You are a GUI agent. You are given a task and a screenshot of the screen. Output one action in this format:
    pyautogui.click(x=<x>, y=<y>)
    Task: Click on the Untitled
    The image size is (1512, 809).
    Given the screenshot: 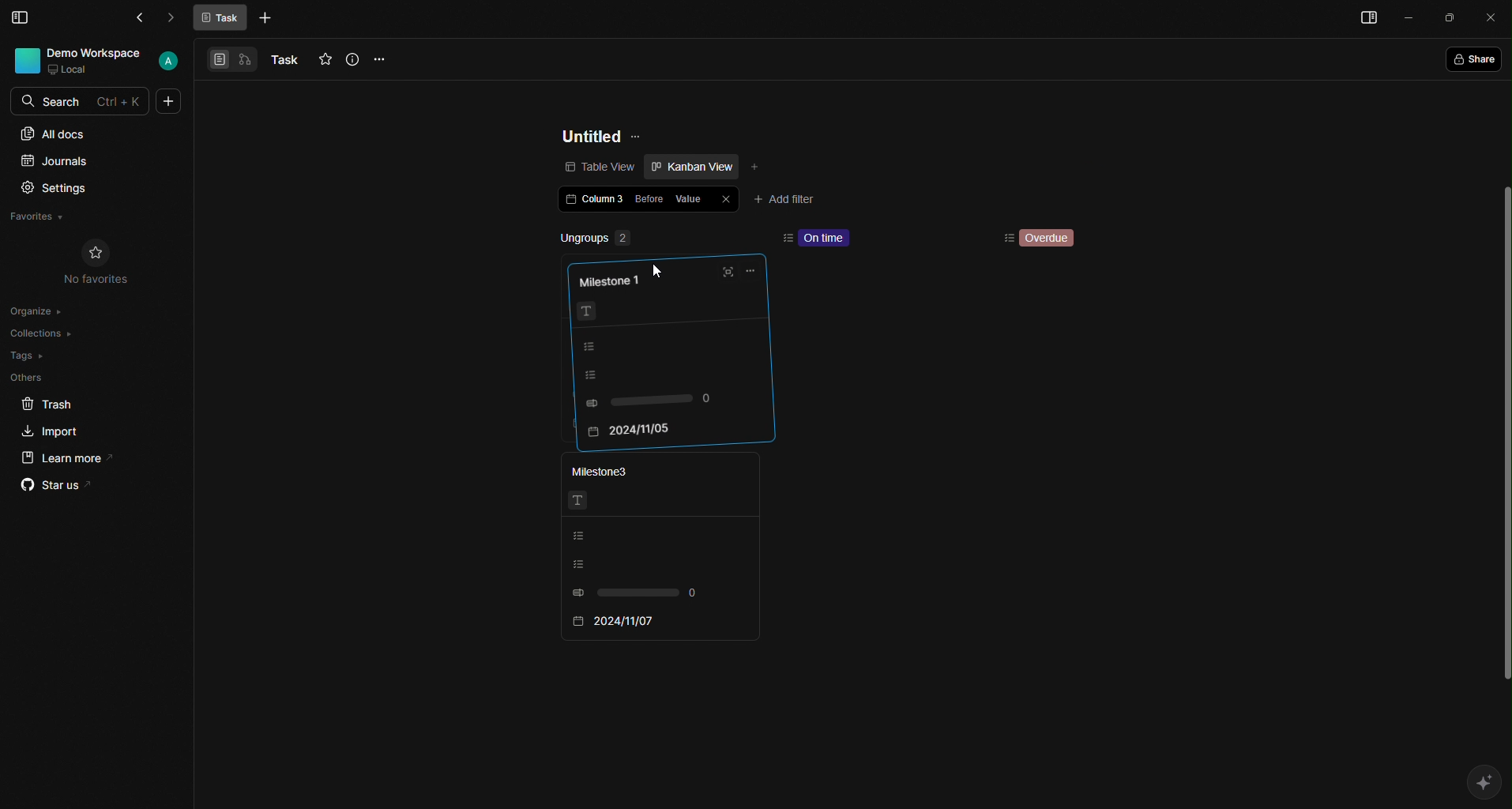 What is the action you would take?
    pyautogui.click(x=592, y=134)
    